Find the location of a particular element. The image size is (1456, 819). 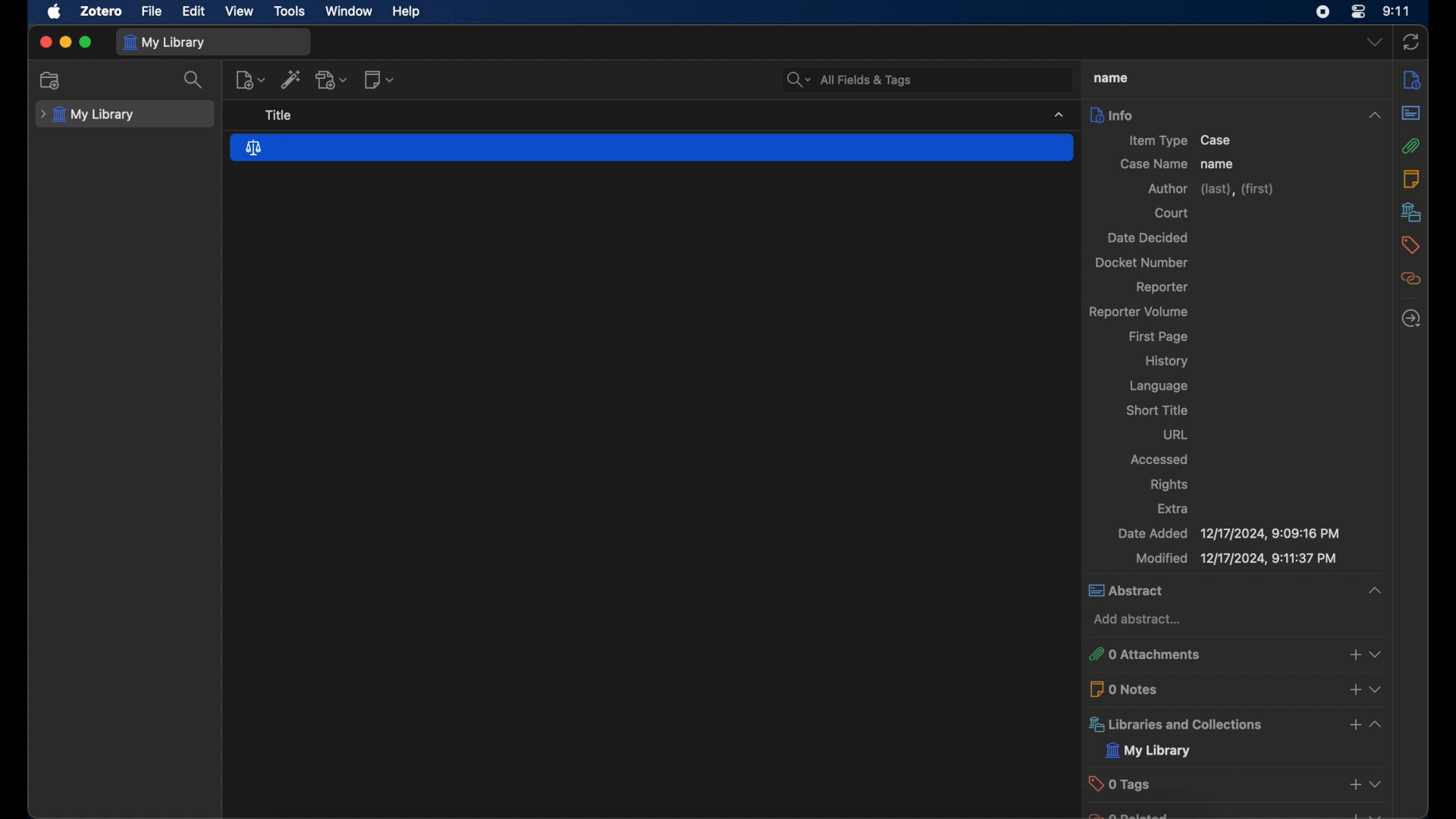

court is located at coordinates (1173, 212).